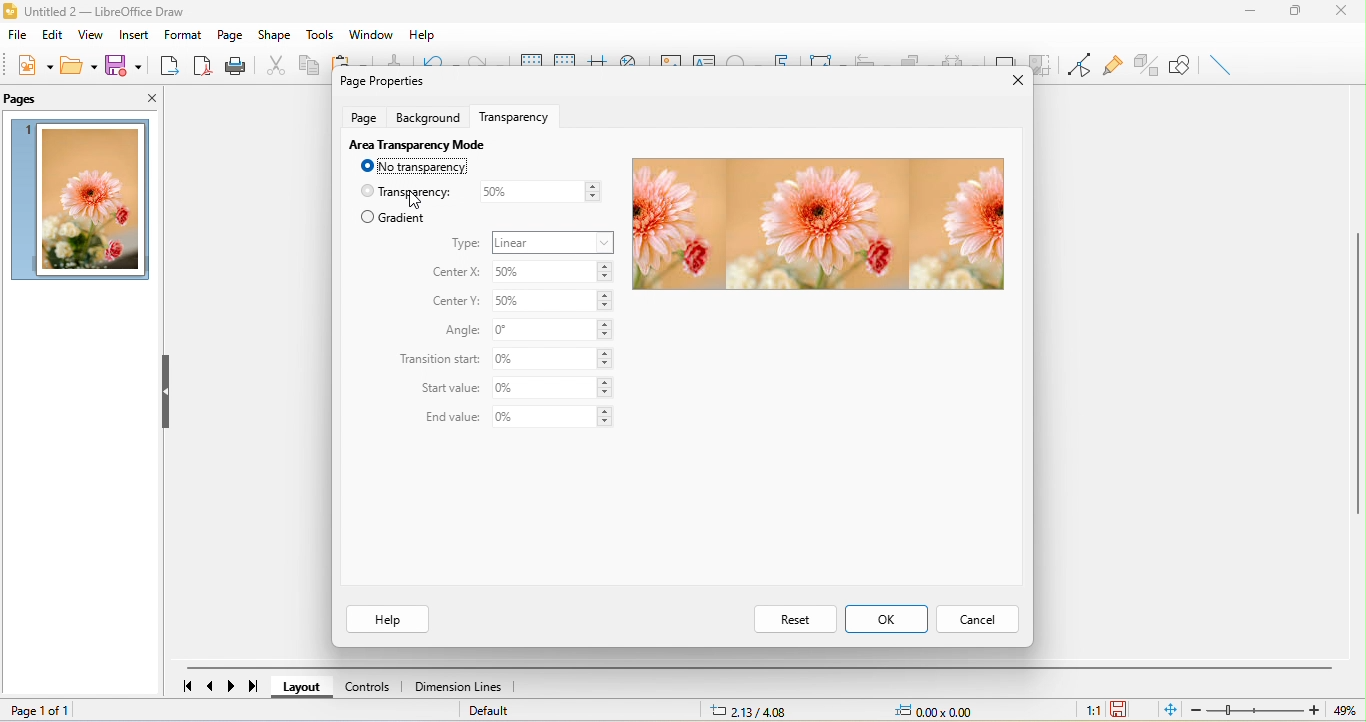 The height and width of the screenshot is (722, 1366). Describe the element at coordinates (943, 711) in the screenshot. I see `0.00x0.00` at that location.